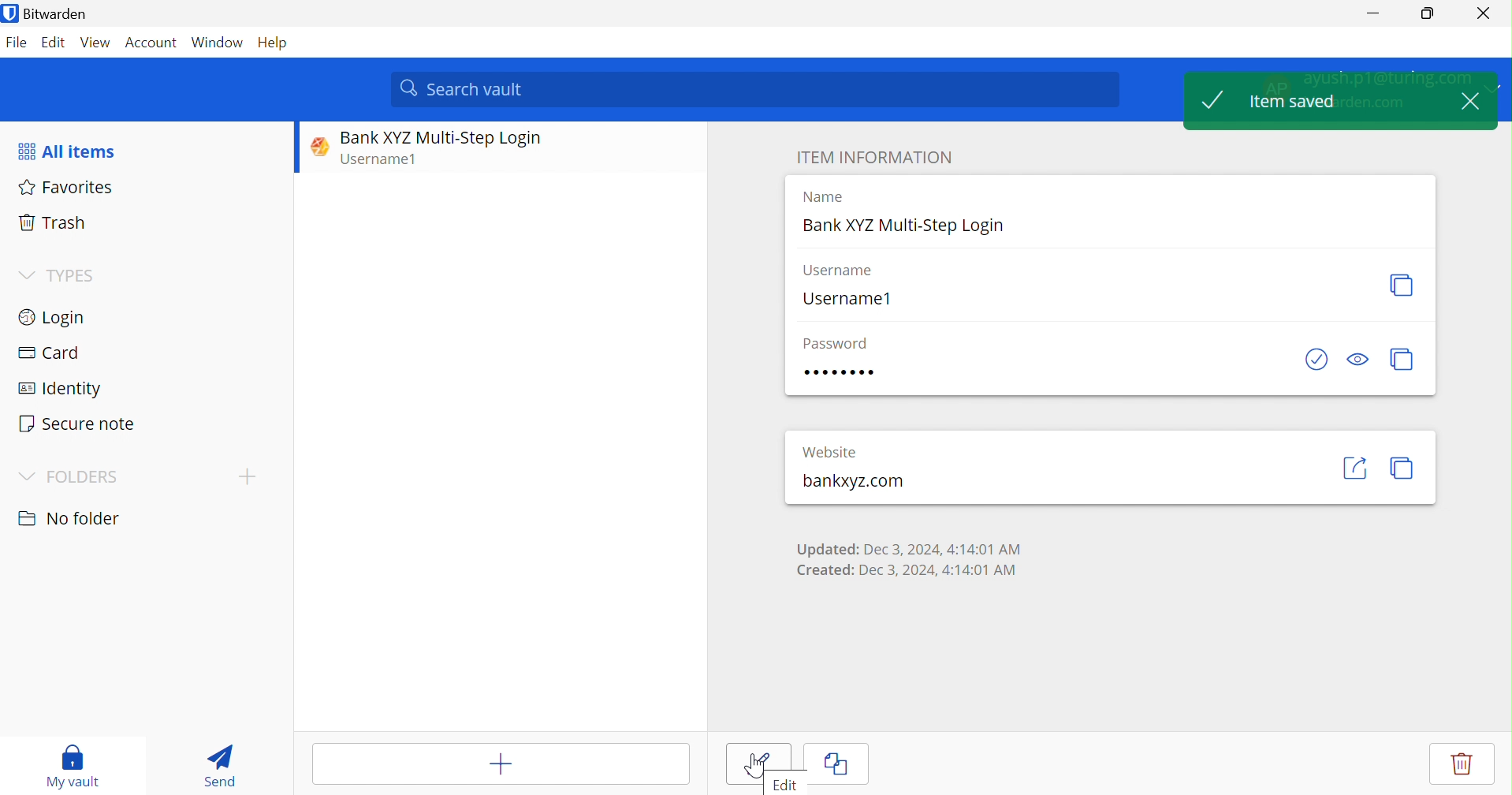  I want to click on Bitwarden, so click(49, 15).